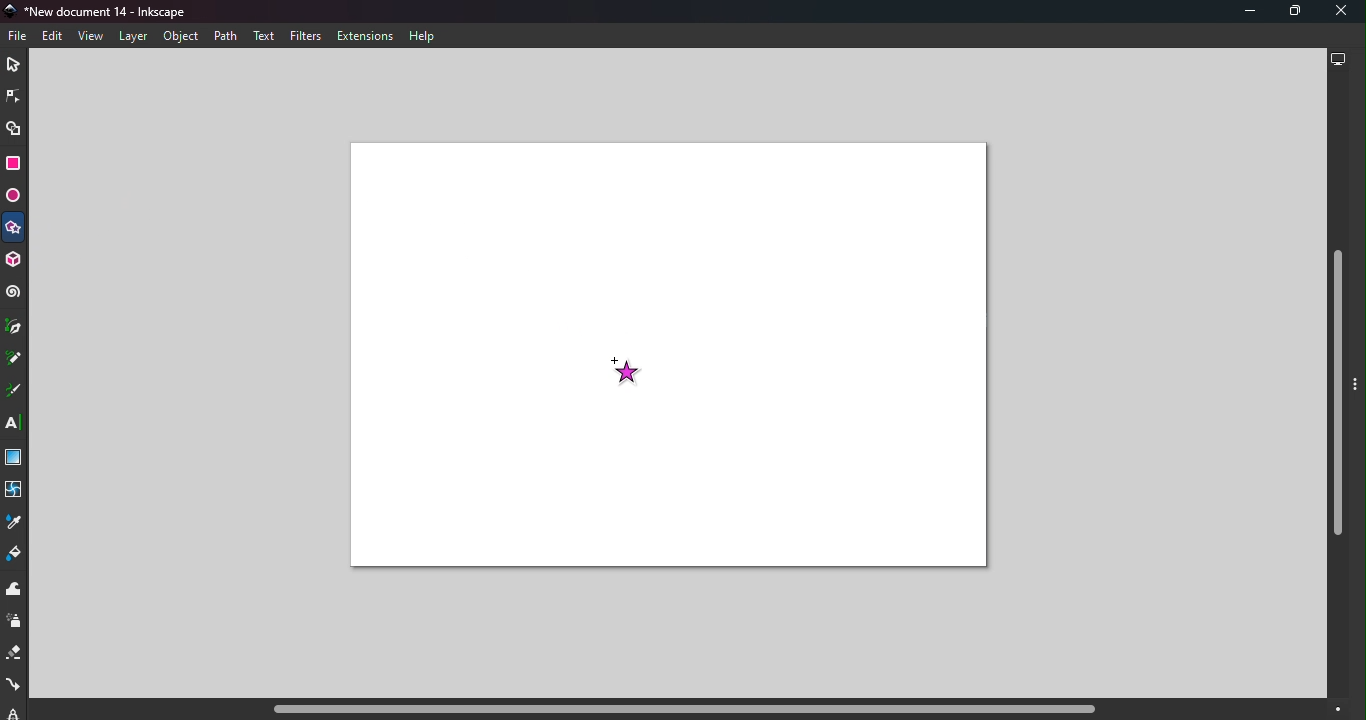 Image resolution: width=1366 pixels, height=720 pixels. Describe the element at coordinates (13, 687) in the screenshot. I see `Connector tool` at that location.